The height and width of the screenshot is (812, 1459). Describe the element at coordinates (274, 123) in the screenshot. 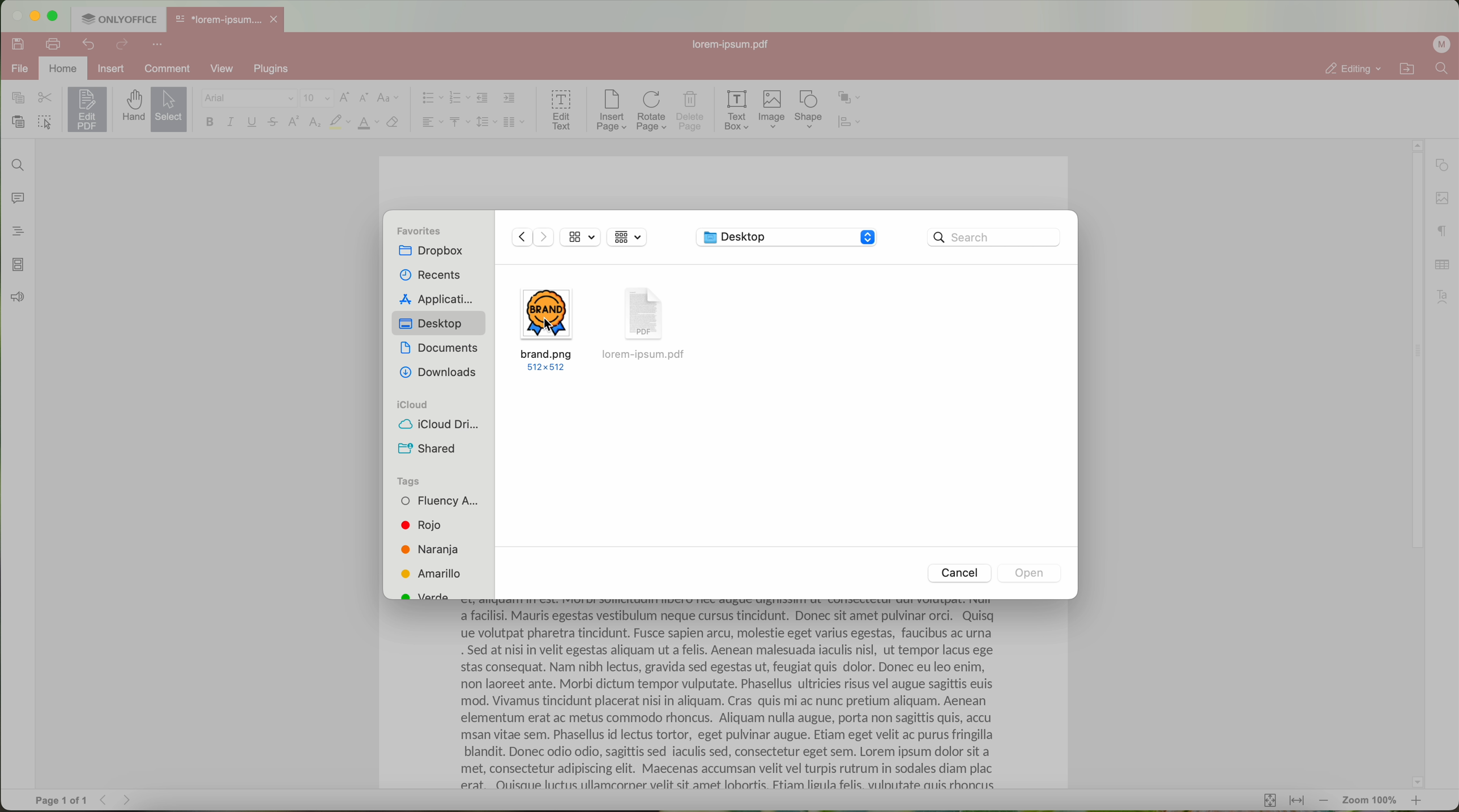

I see `strikeout` at that location.